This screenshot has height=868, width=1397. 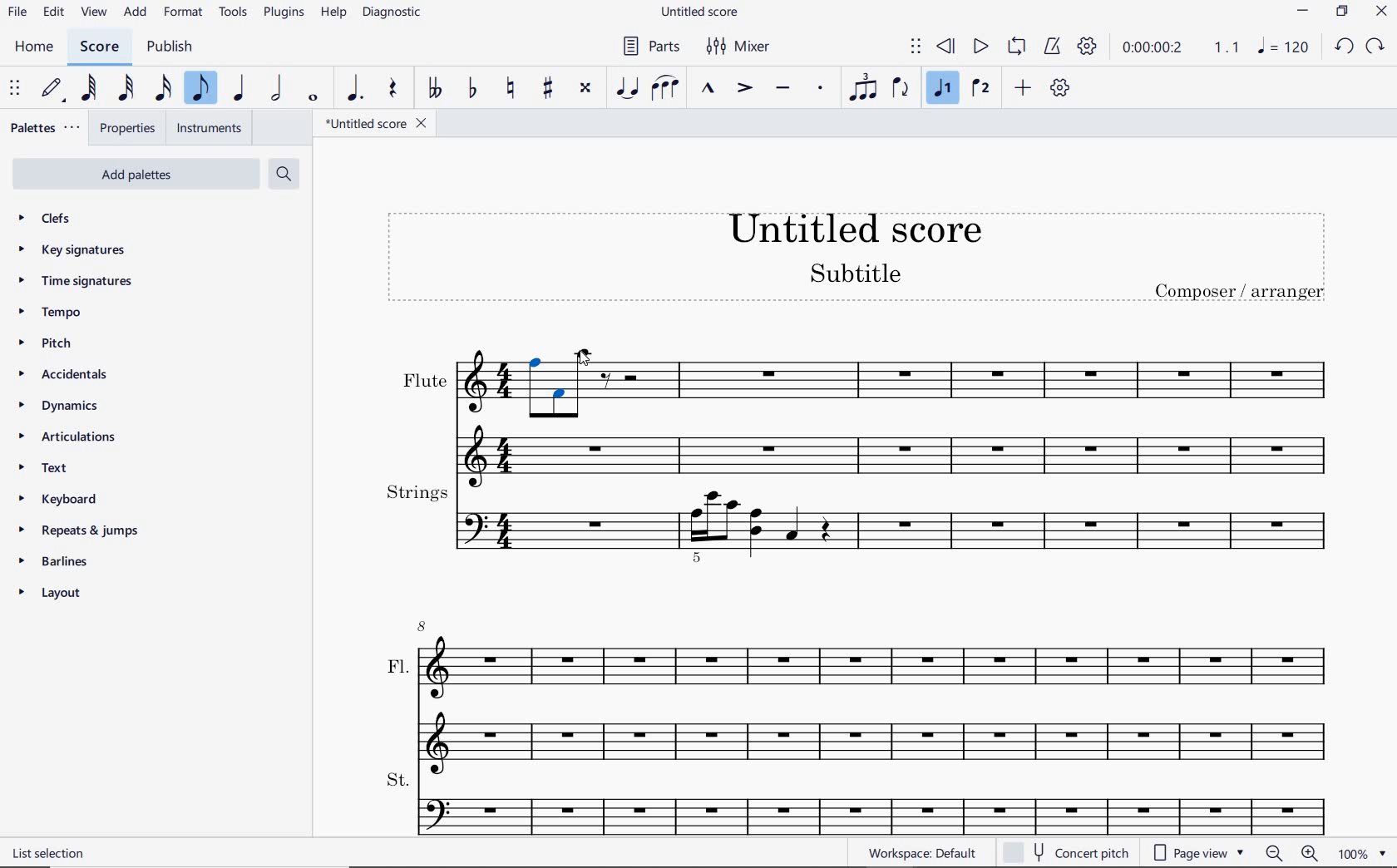 I want to click on home, so click(x=37, y=48).